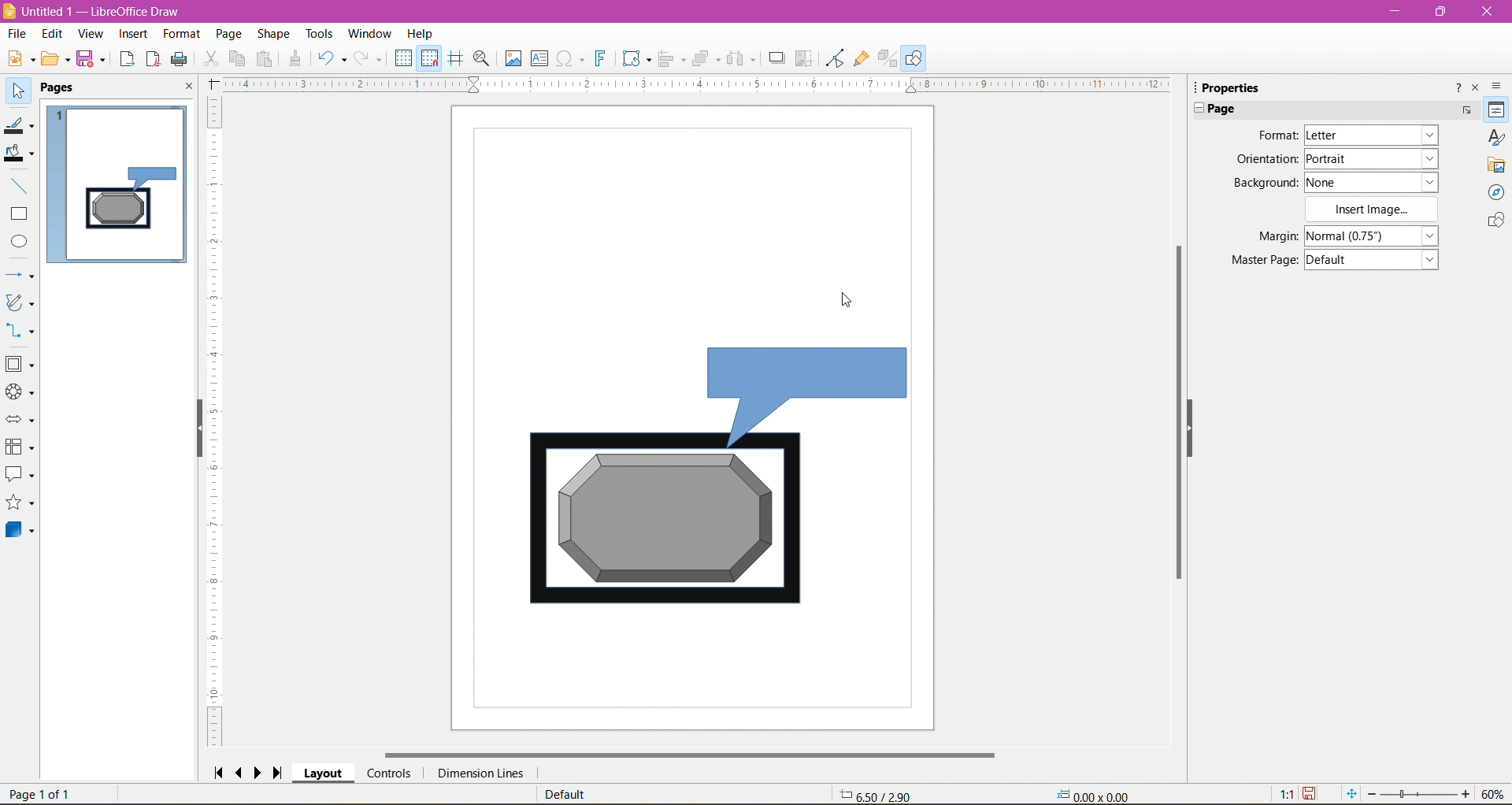 This screenshot has width=1512, height=805. Describe the element at coordinates (20, 275) in the screenshot. I see `Lines and Arrows` at that location.